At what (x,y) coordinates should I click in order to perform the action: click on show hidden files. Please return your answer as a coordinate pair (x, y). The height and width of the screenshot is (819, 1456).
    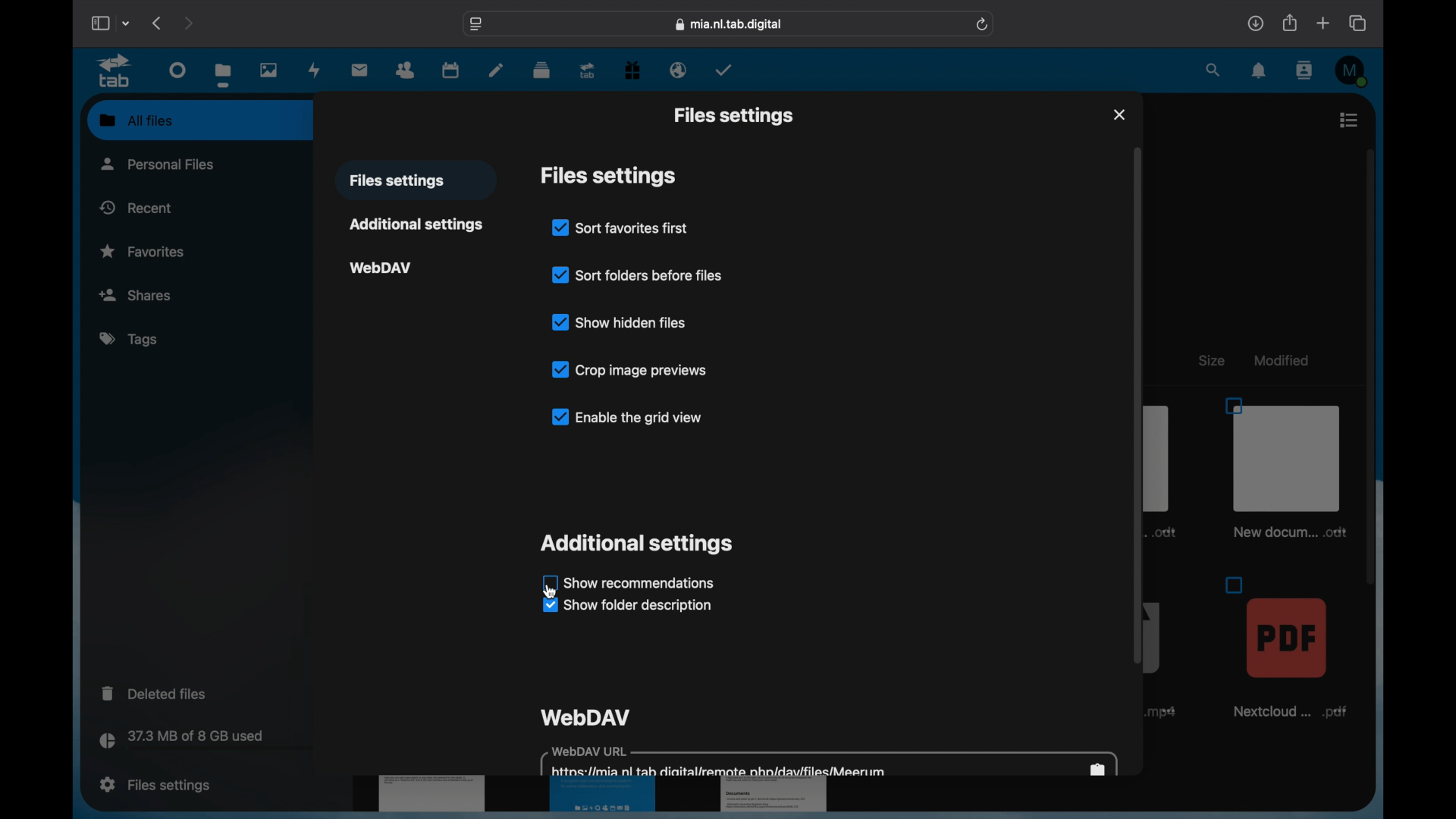
    Looking at the image, I should click on (618, 320).